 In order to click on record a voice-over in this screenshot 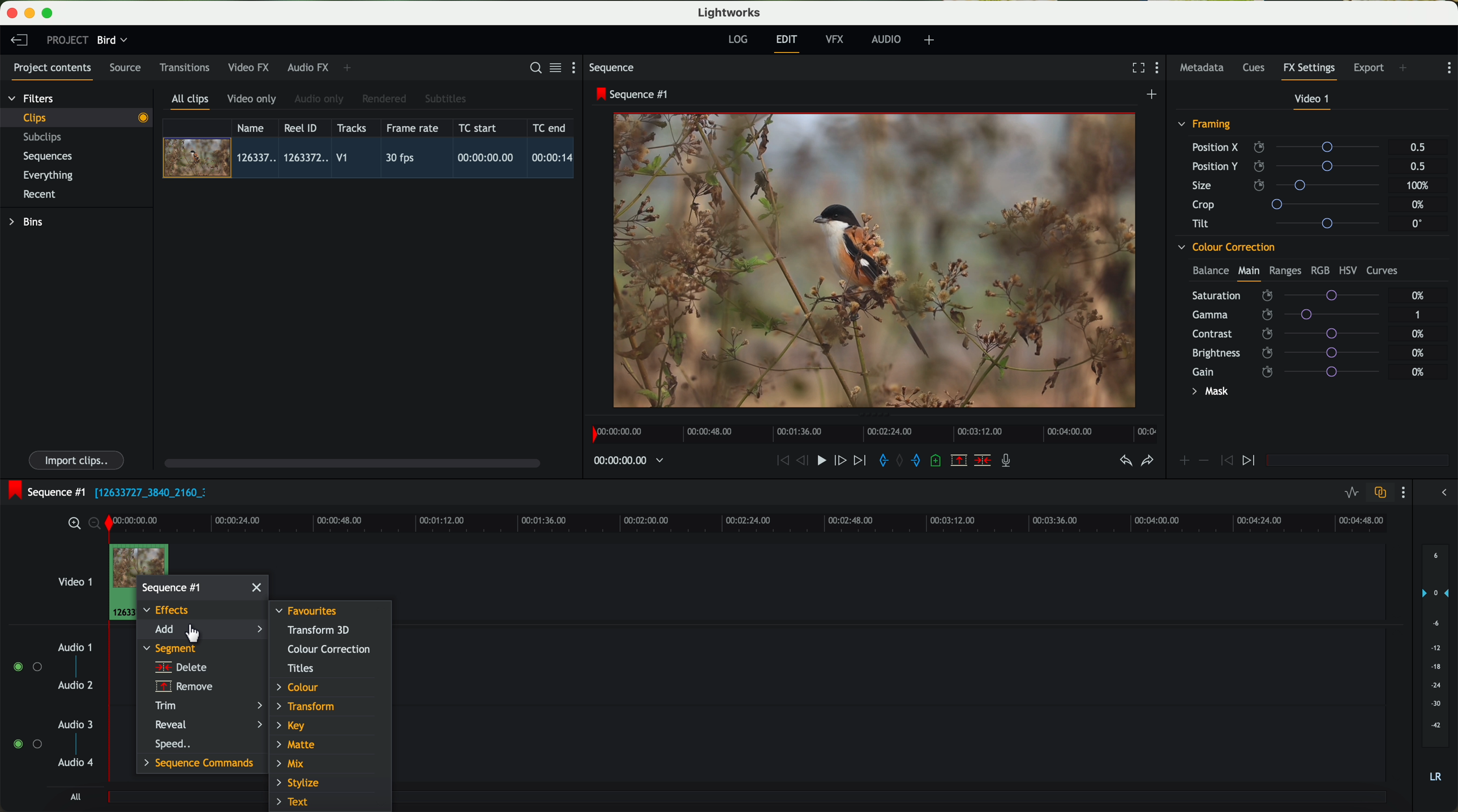, I will do `click(1010, 462)`.